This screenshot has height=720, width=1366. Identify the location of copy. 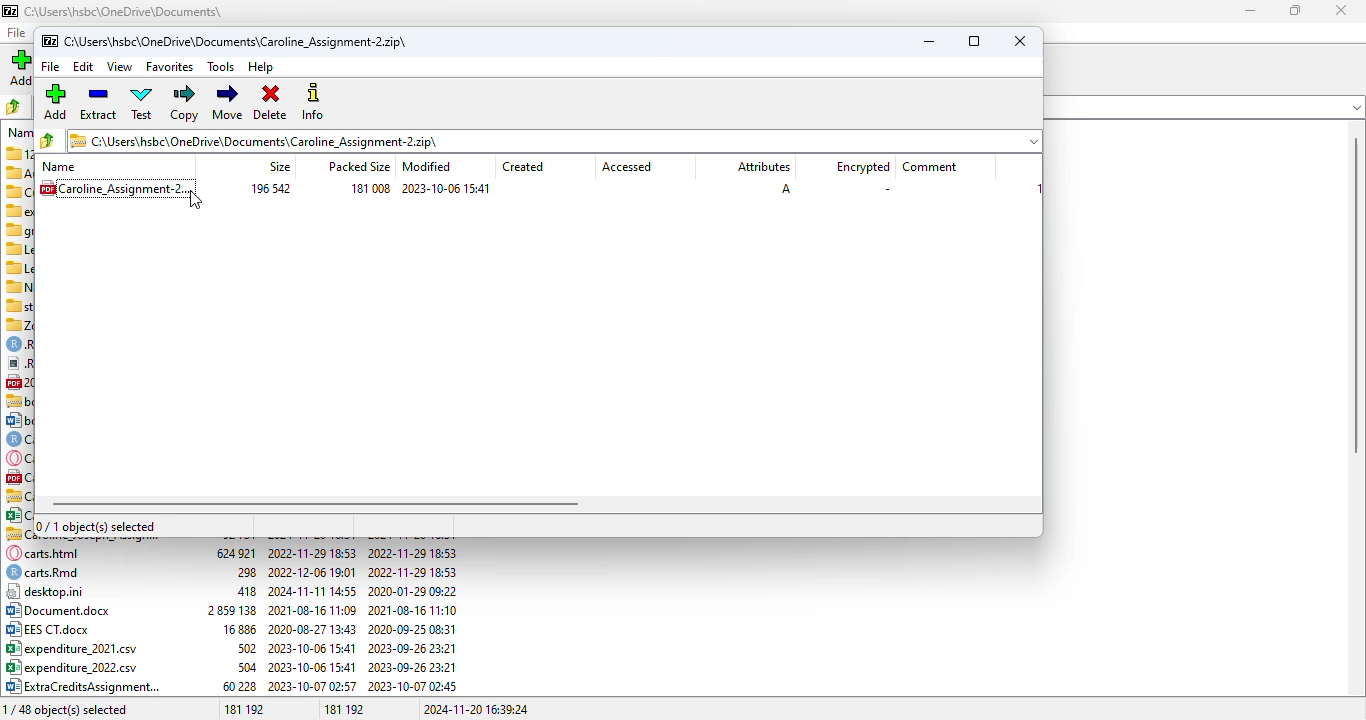
(184, 103).